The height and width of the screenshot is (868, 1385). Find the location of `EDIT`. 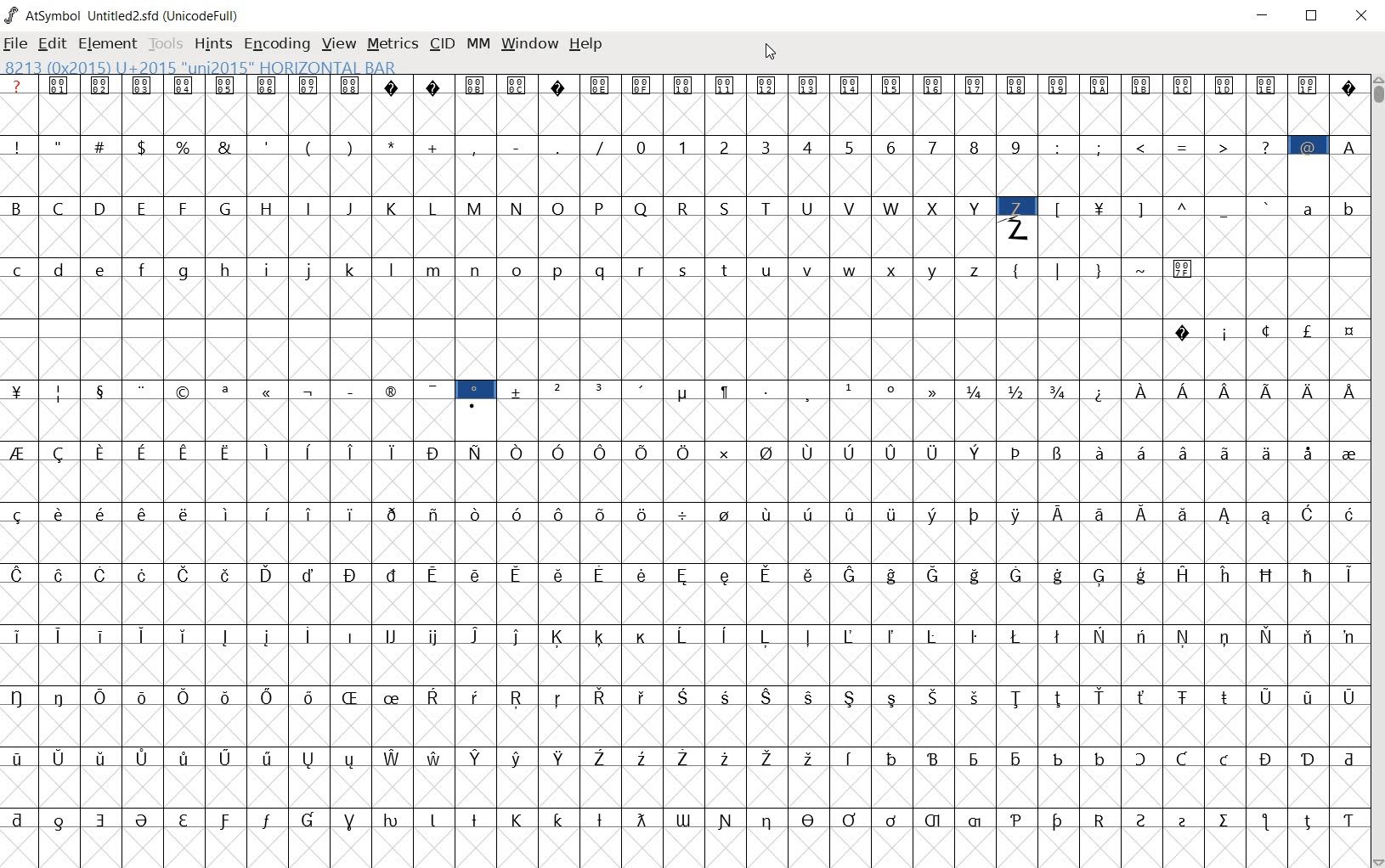

EDIT is located at coordinates (52, 43).